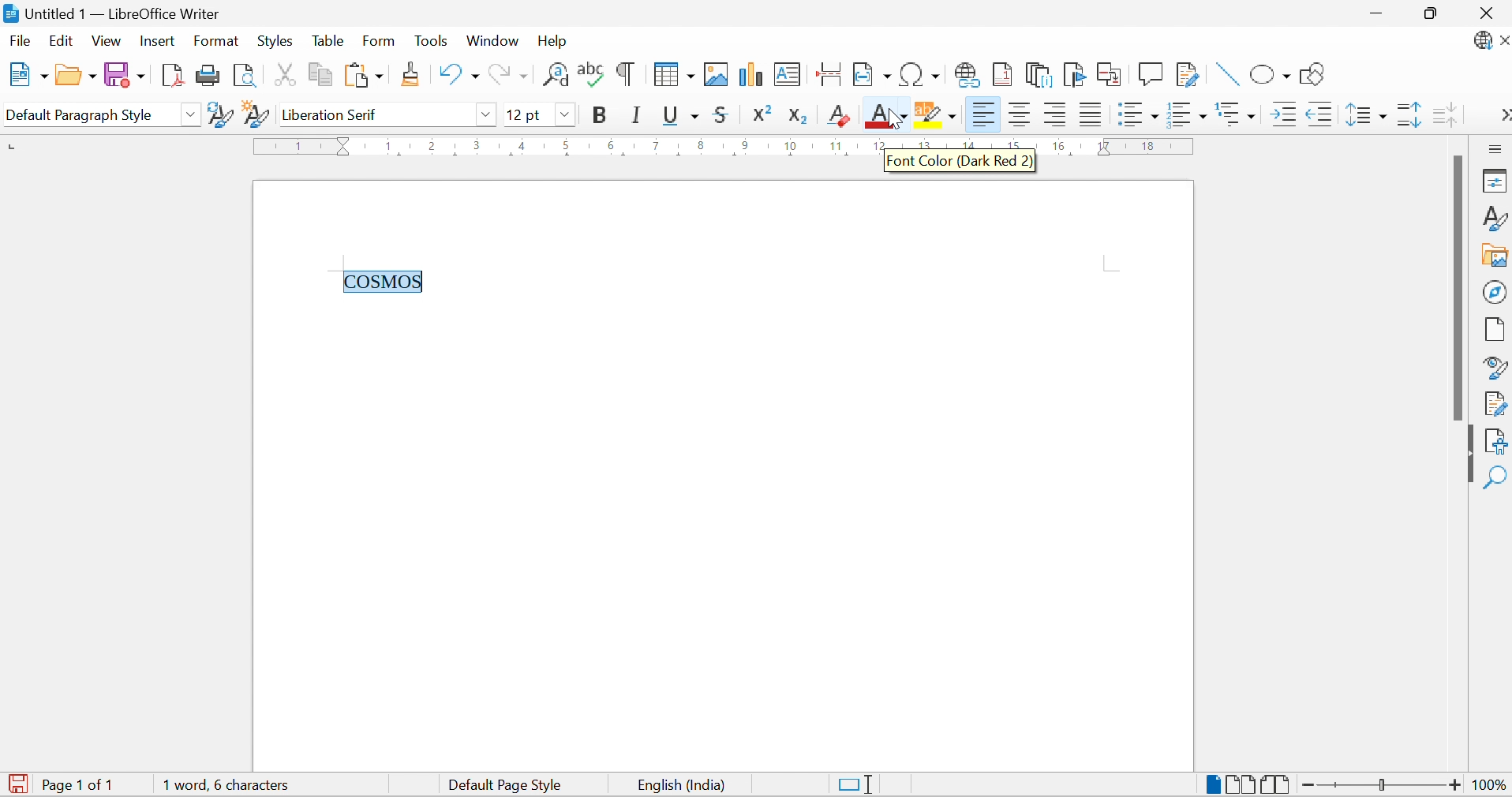 The width and height of the screenshot is (1512, 797). What do you see at coordinates (1496, 405) in the screenshot?
I see `Manage Changes` at bounding box center [1496, 405].